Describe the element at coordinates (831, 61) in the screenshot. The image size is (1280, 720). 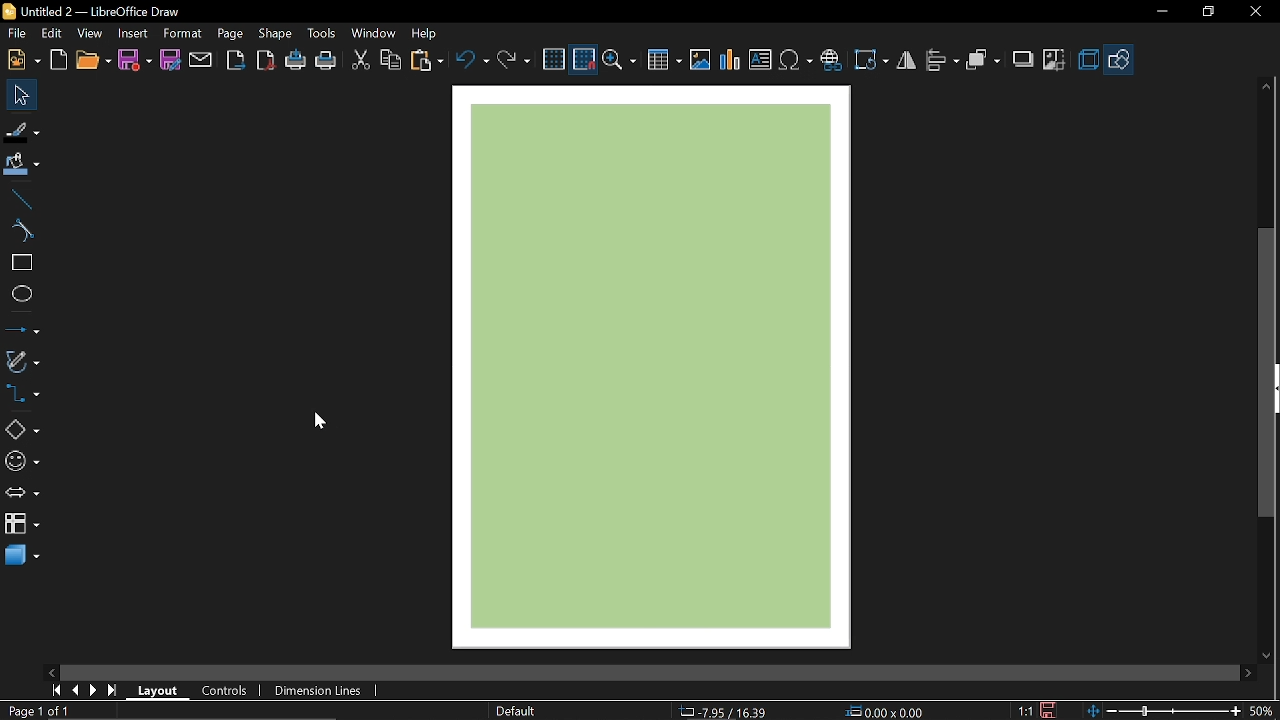
I see `Insert hyprelink` at that location.